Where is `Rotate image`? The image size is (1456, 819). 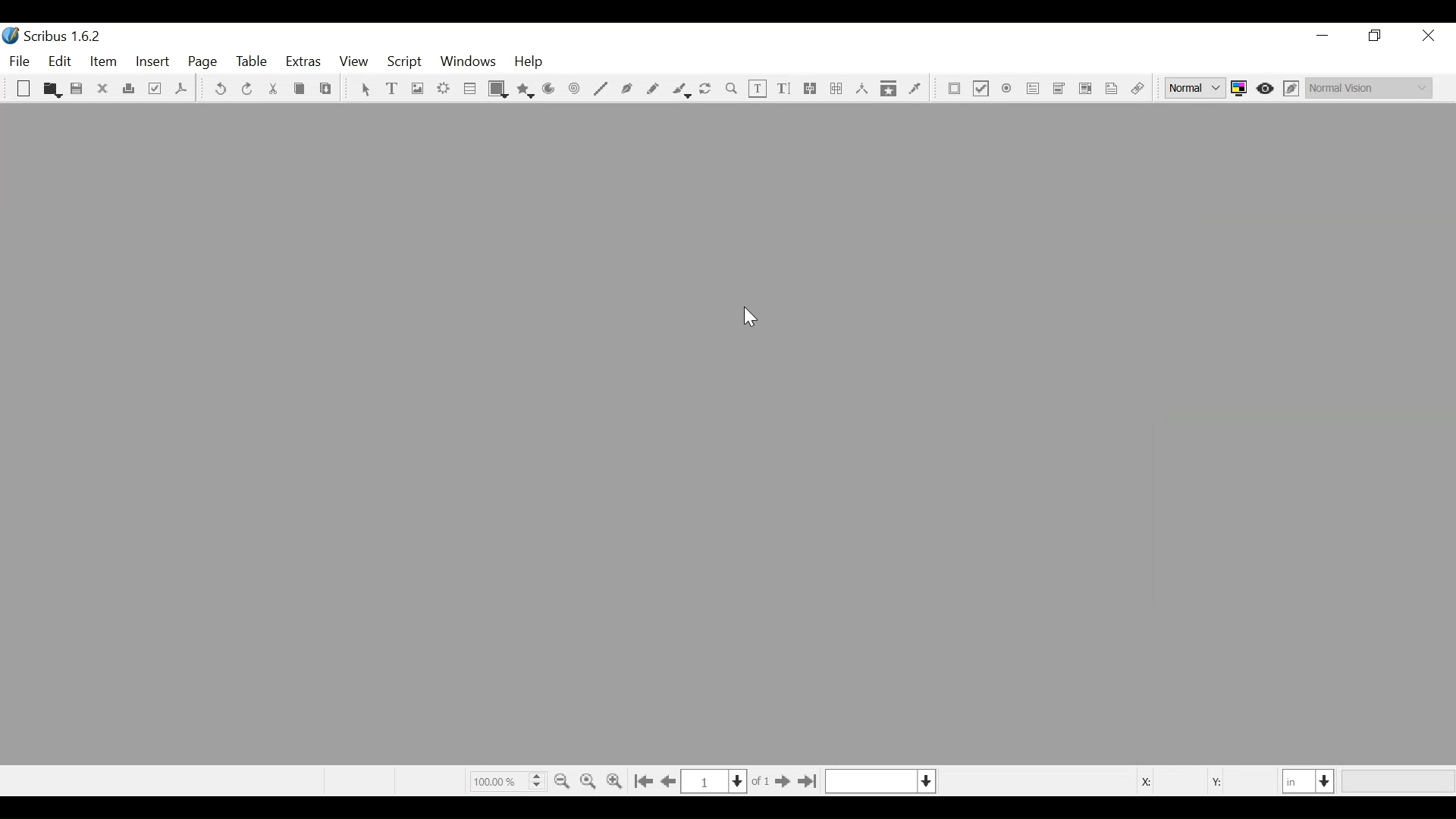 Rotate image is located at coordinates (707, 89).